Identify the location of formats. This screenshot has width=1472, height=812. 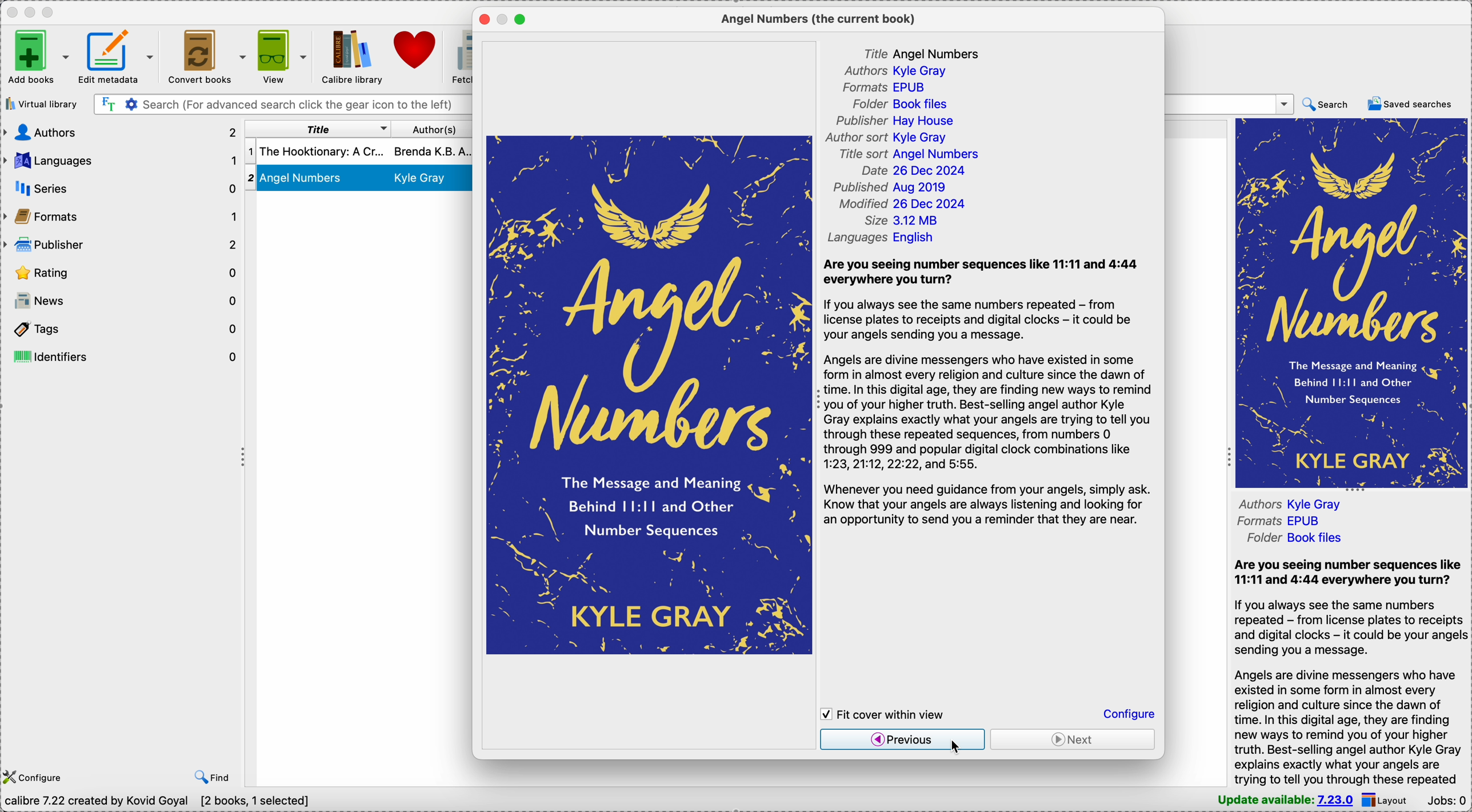
(121, 217).